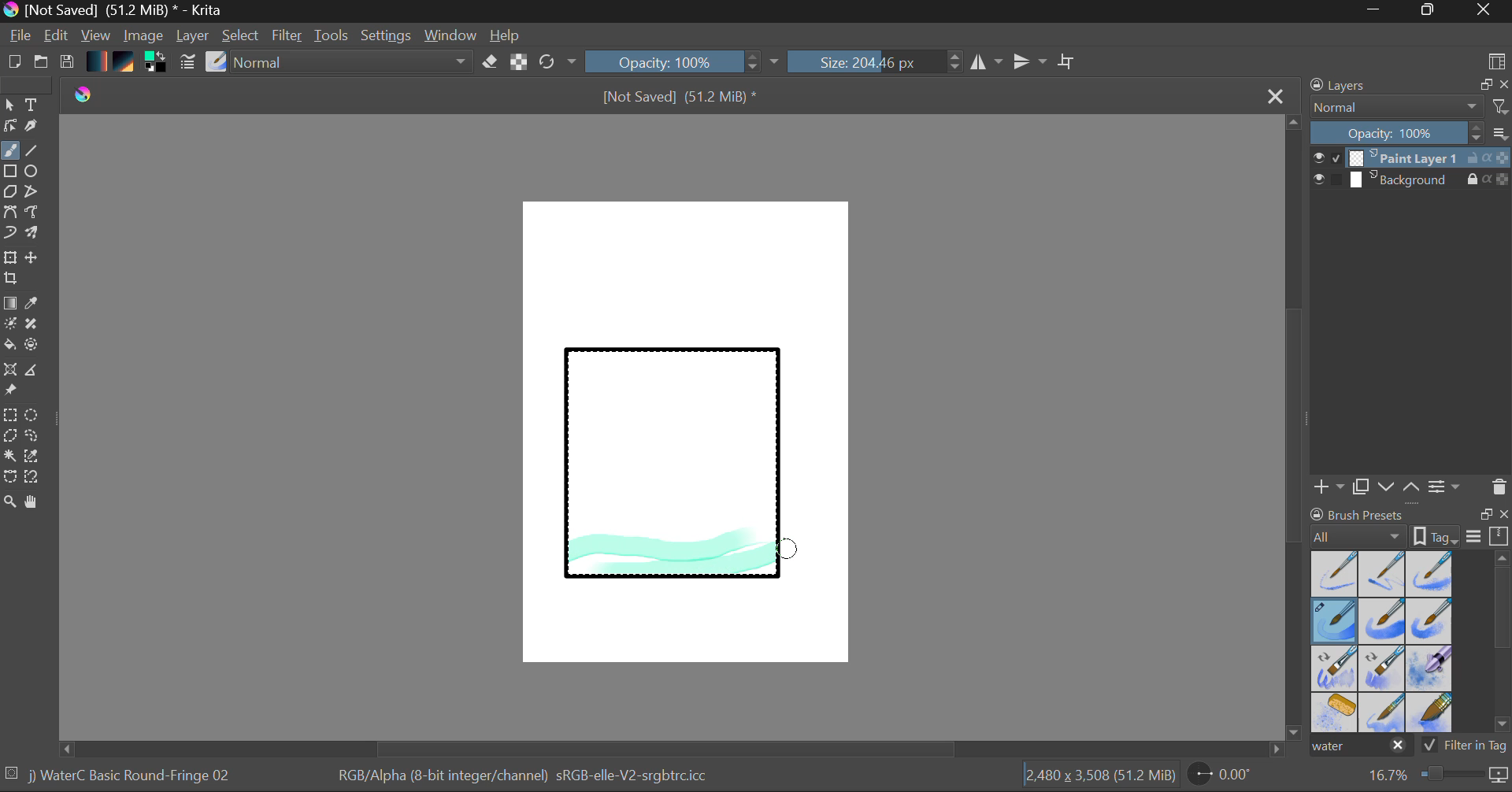 The height and width of the screenshot is (792, 1512). Describe the element at coordinates (332, 36) in the screenshot. I see `Tools` at that location.